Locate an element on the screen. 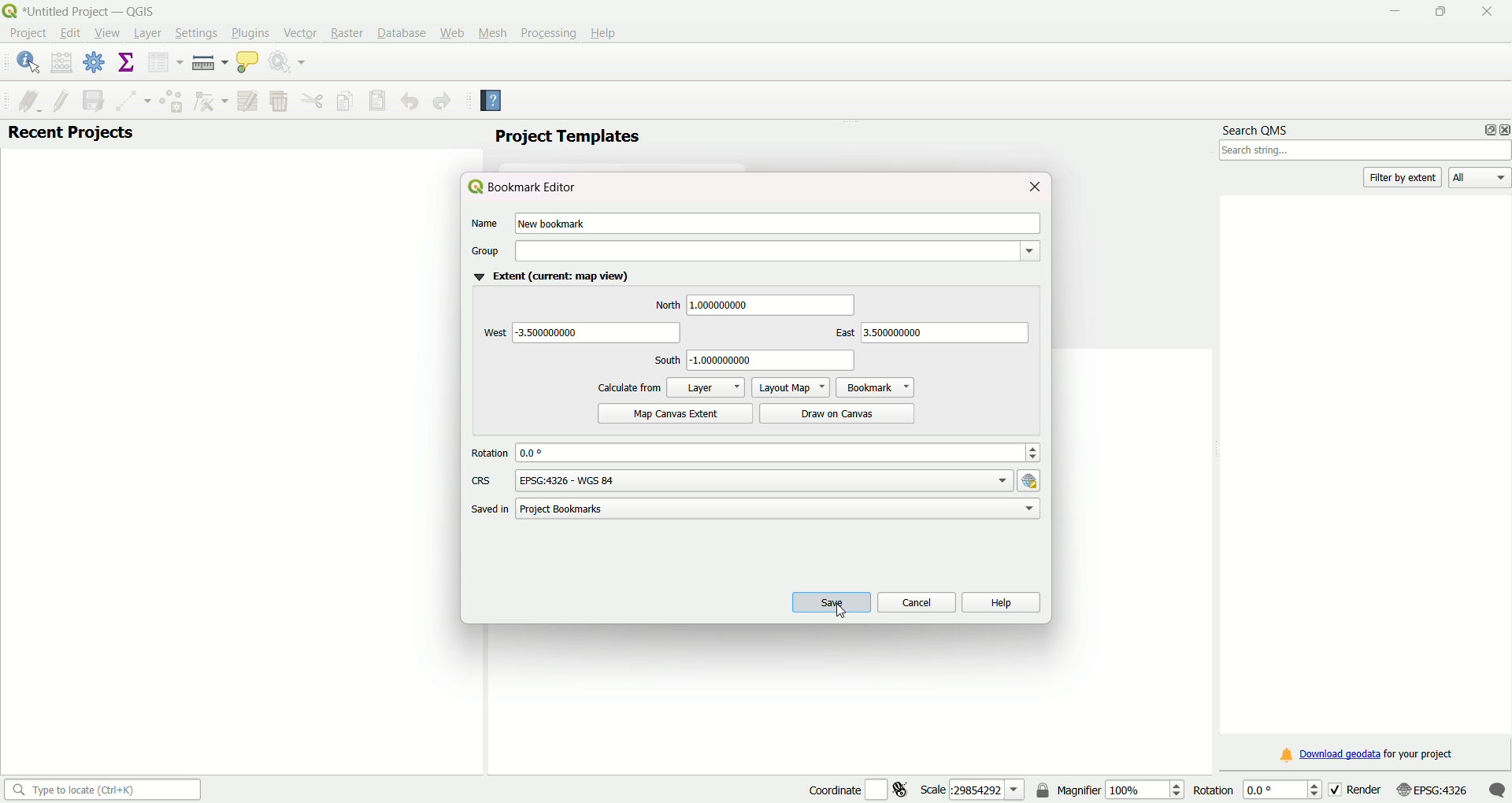  magnifier is located at coordinates (1121, 789).